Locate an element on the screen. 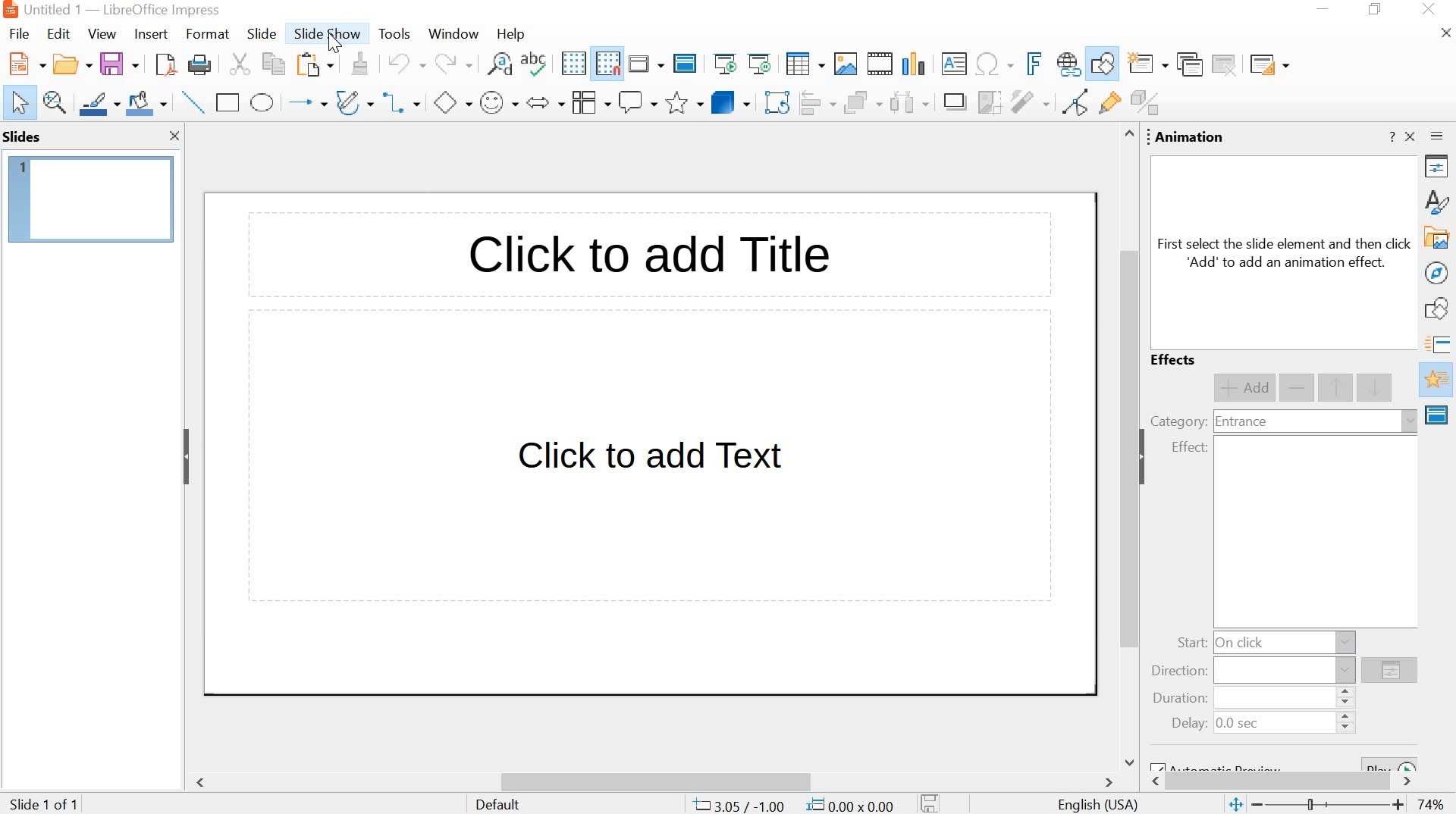  options is located at coordinates (1389, 672).